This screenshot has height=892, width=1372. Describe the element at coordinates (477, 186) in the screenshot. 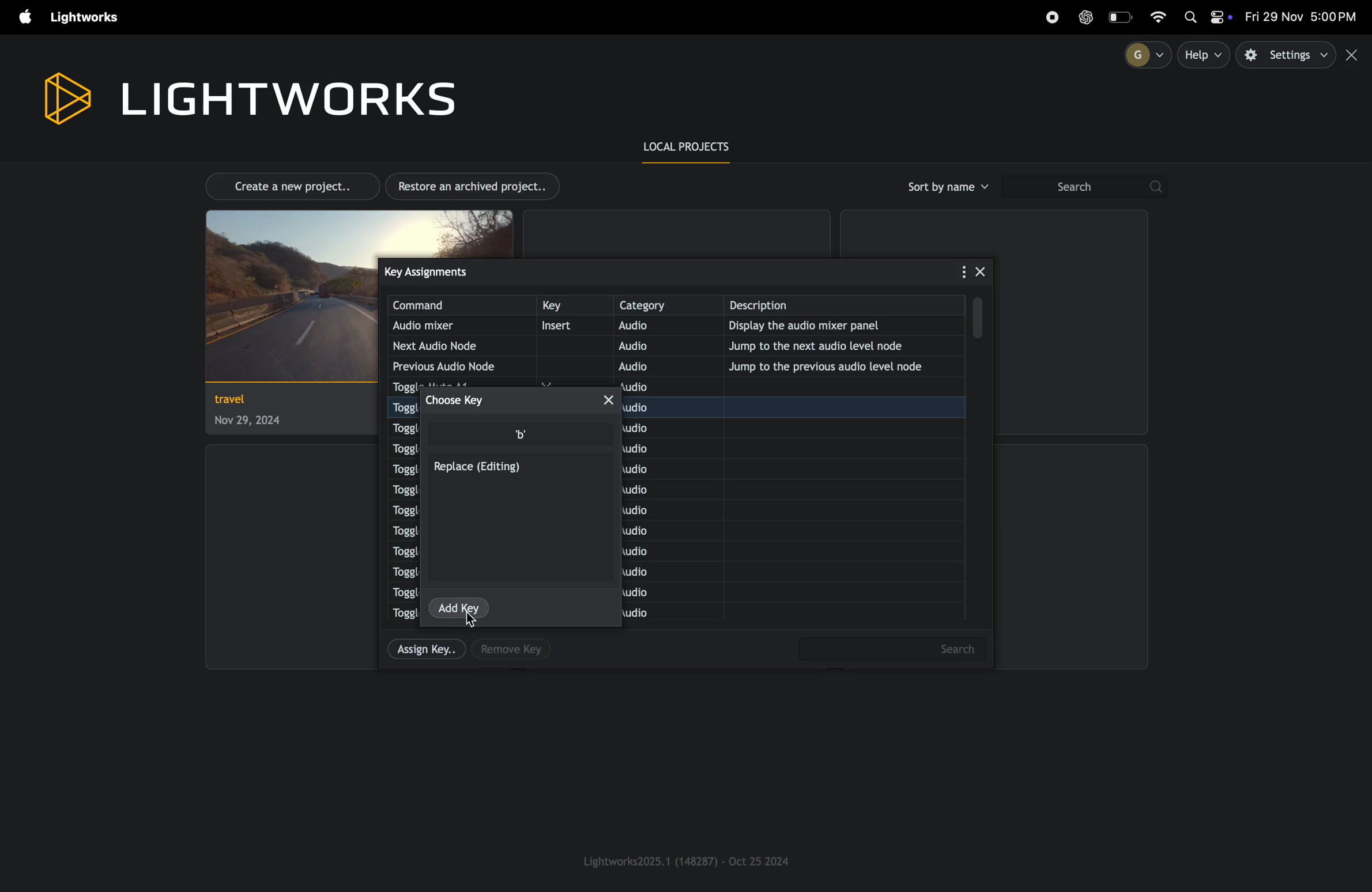

I see `restore archived projects` at that location.